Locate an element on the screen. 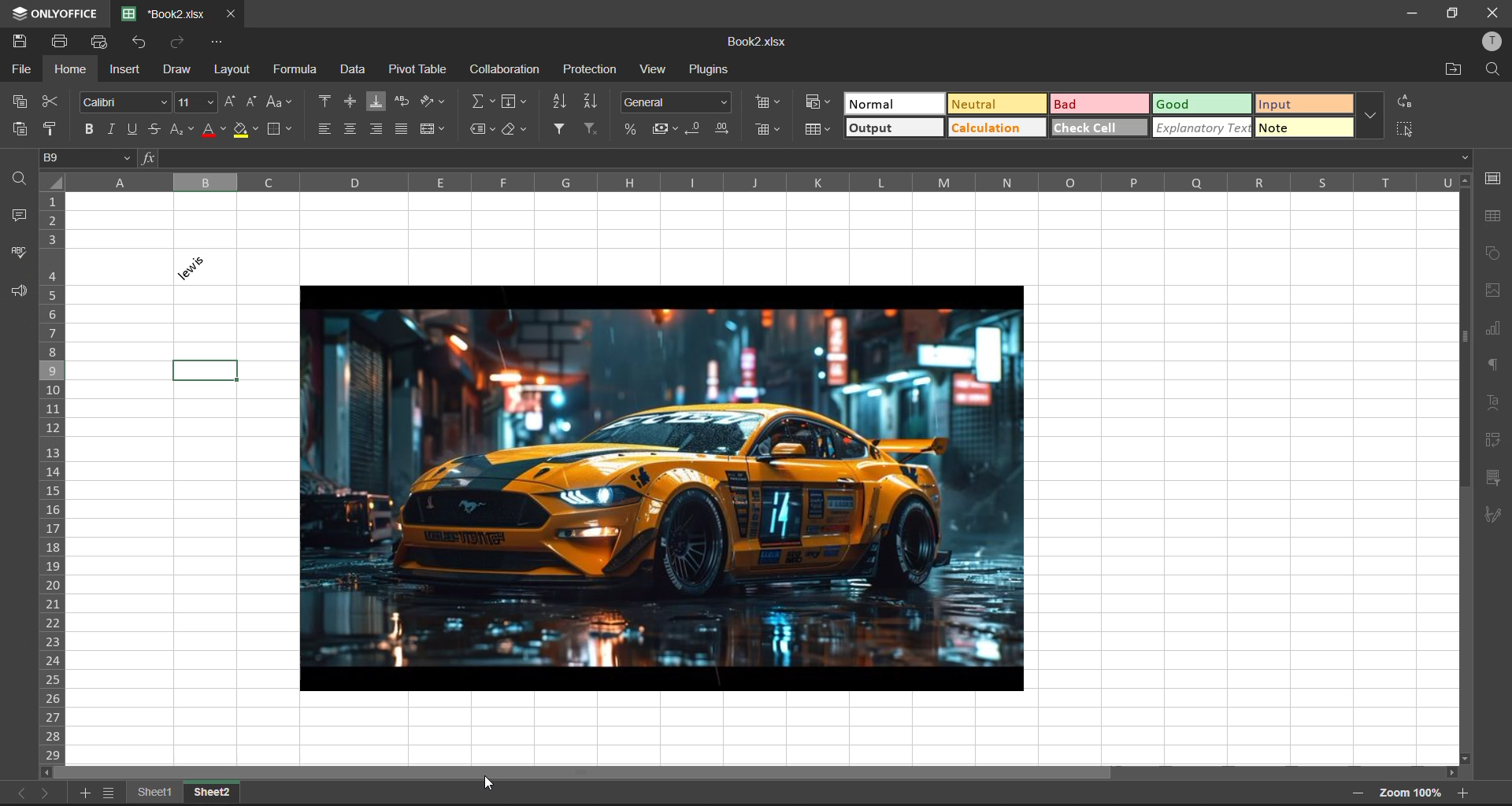 The image size is (1512, 806). insert cells is located at coordinates (765, 102).